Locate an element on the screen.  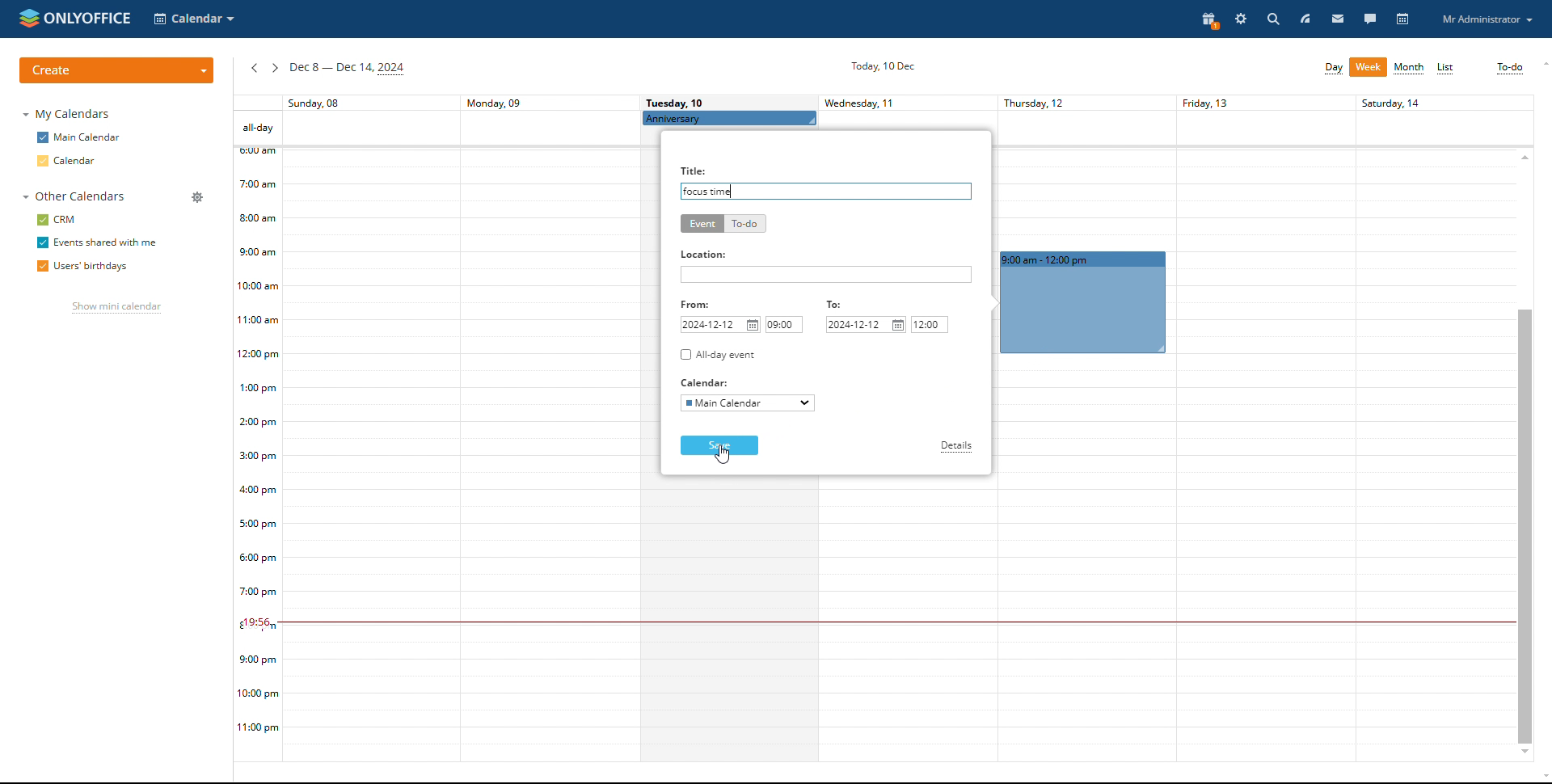
add location is located at coordinates (824, 275).